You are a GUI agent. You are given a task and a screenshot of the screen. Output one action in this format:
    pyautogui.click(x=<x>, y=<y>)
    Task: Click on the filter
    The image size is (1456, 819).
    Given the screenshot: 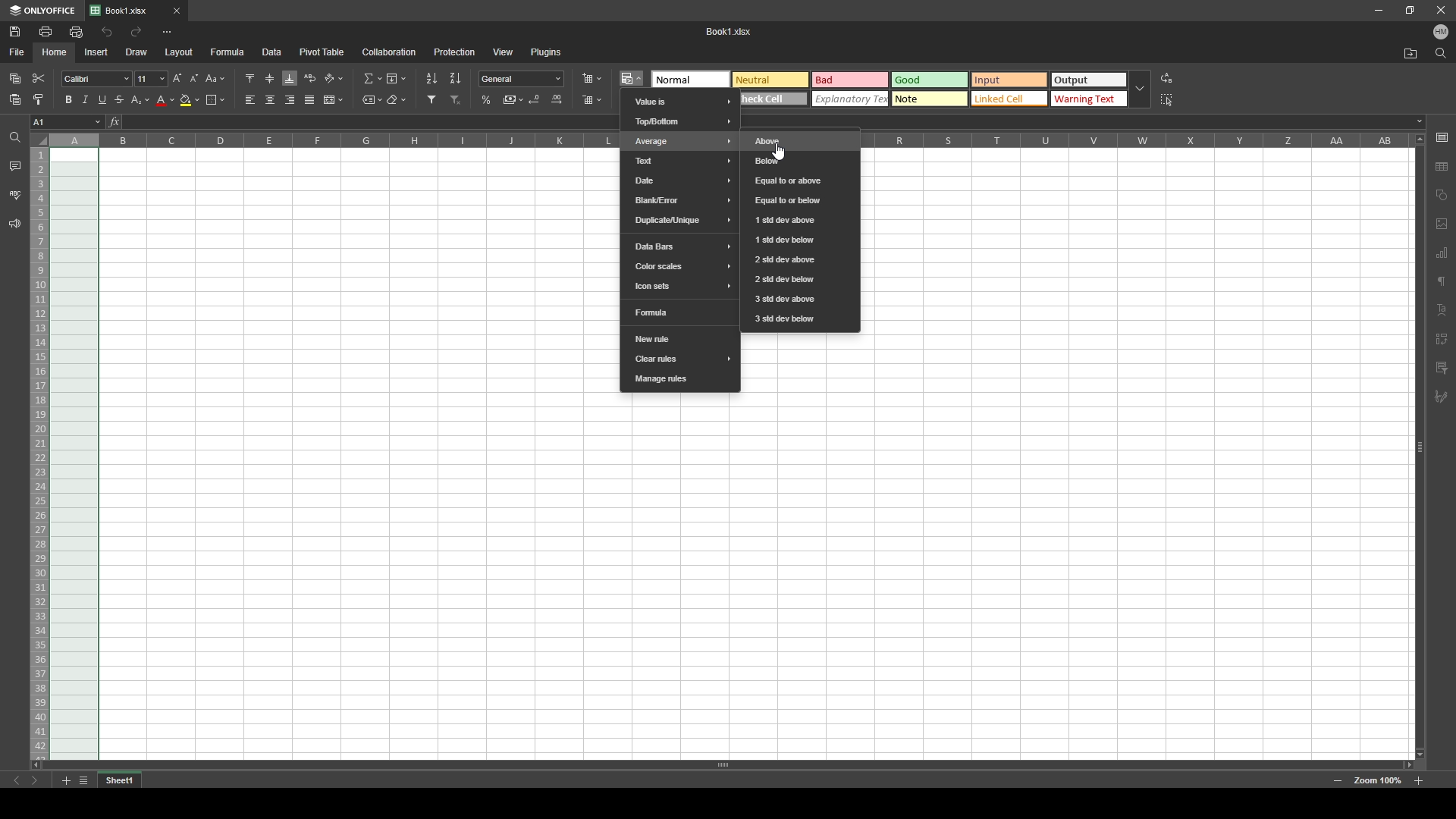 What is the action you would take?
    pyautogui.click(x=432, y=99)
    